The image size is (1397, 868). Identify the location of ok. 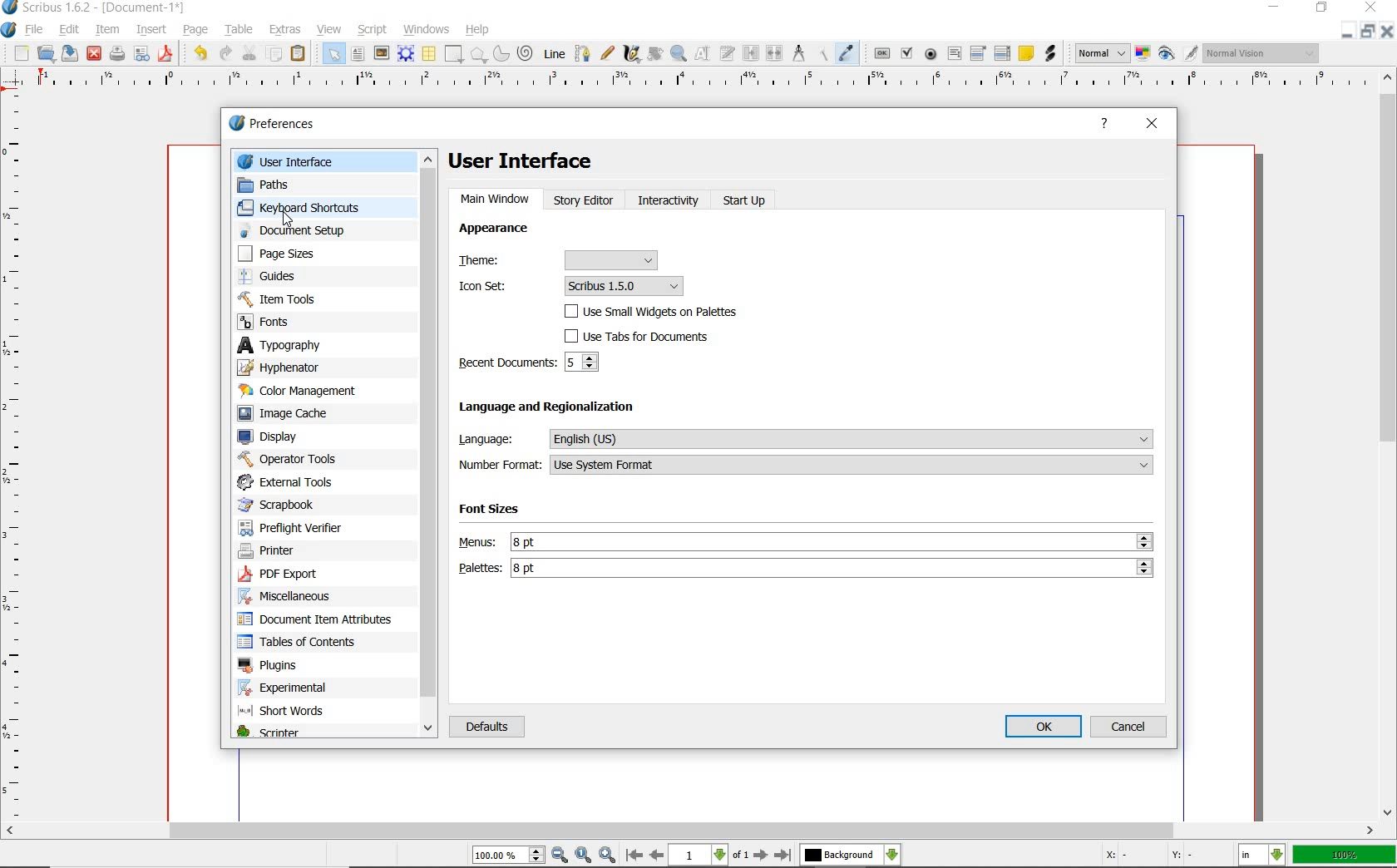
(1044, 726).